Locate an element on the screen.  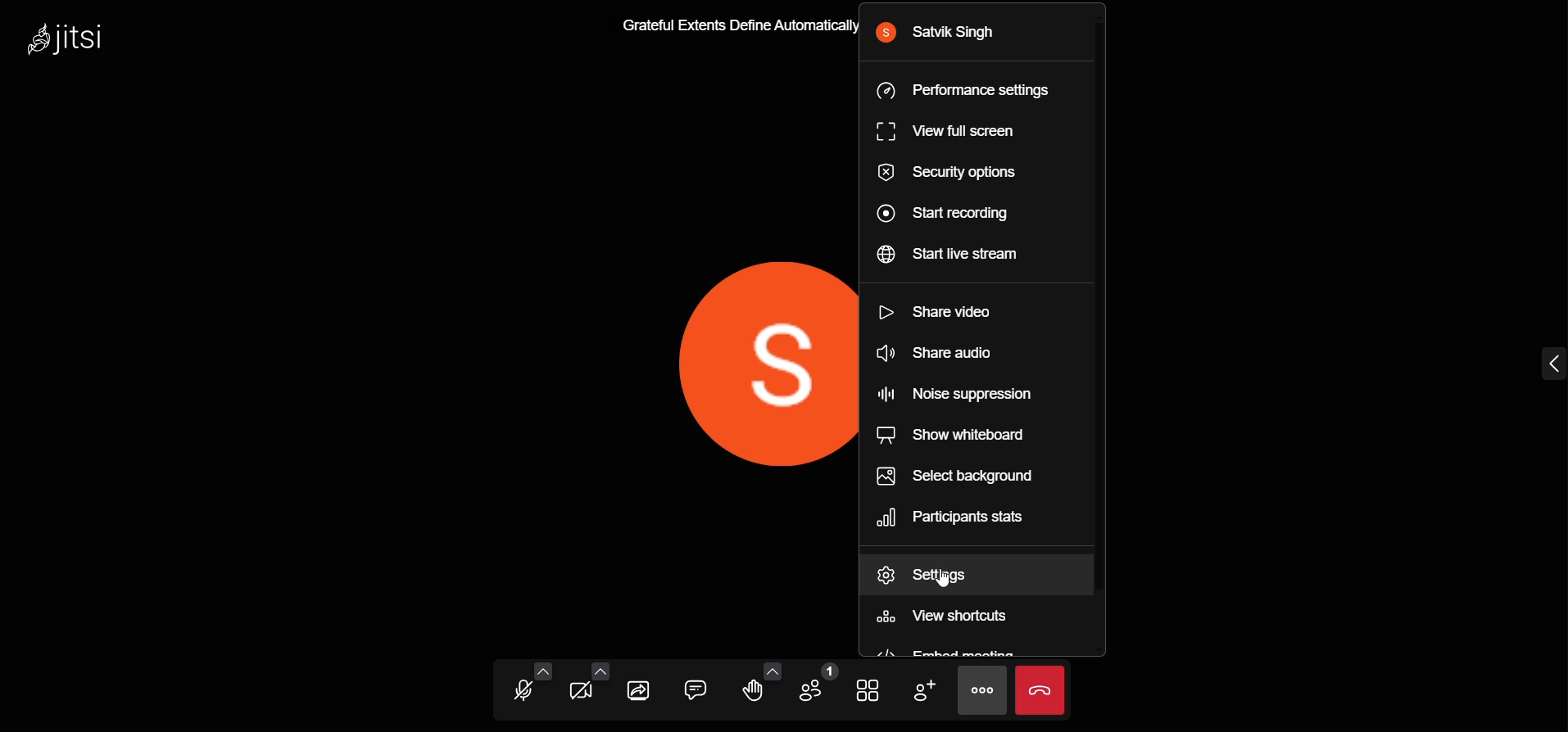
select background is located at coordinates (970, 479).